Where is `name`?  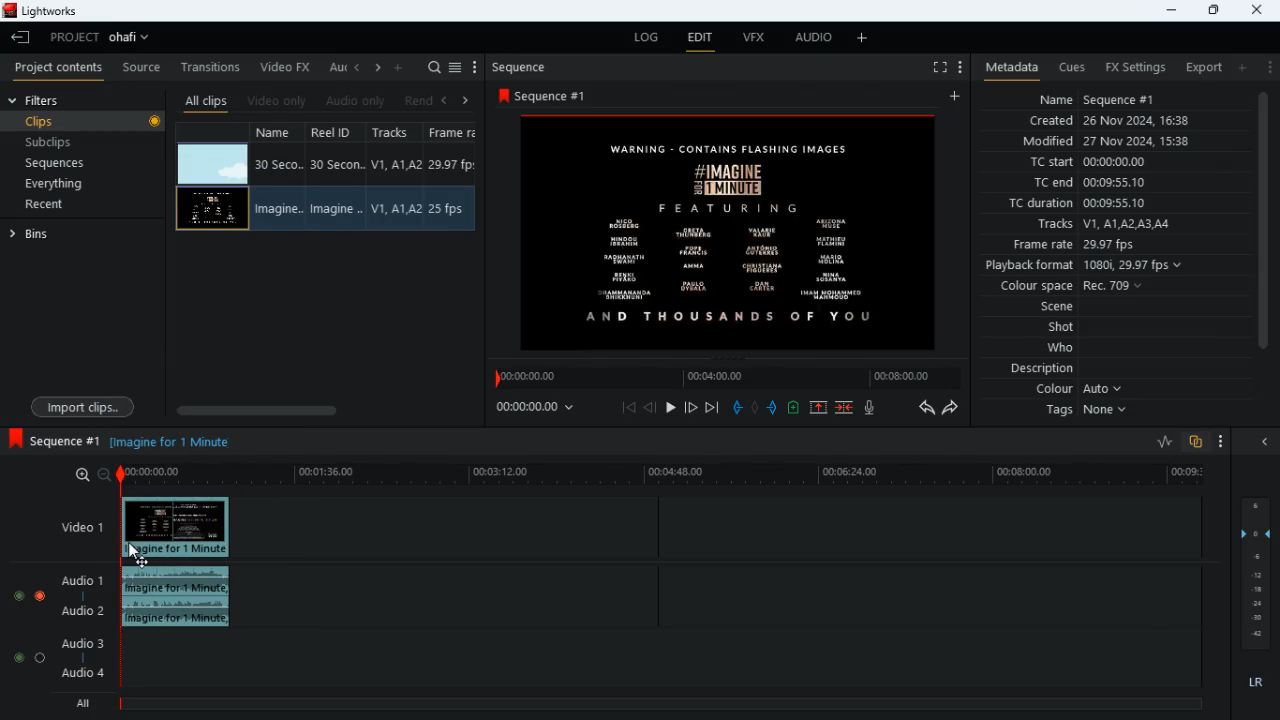 name is located at coordinates (277, 177).